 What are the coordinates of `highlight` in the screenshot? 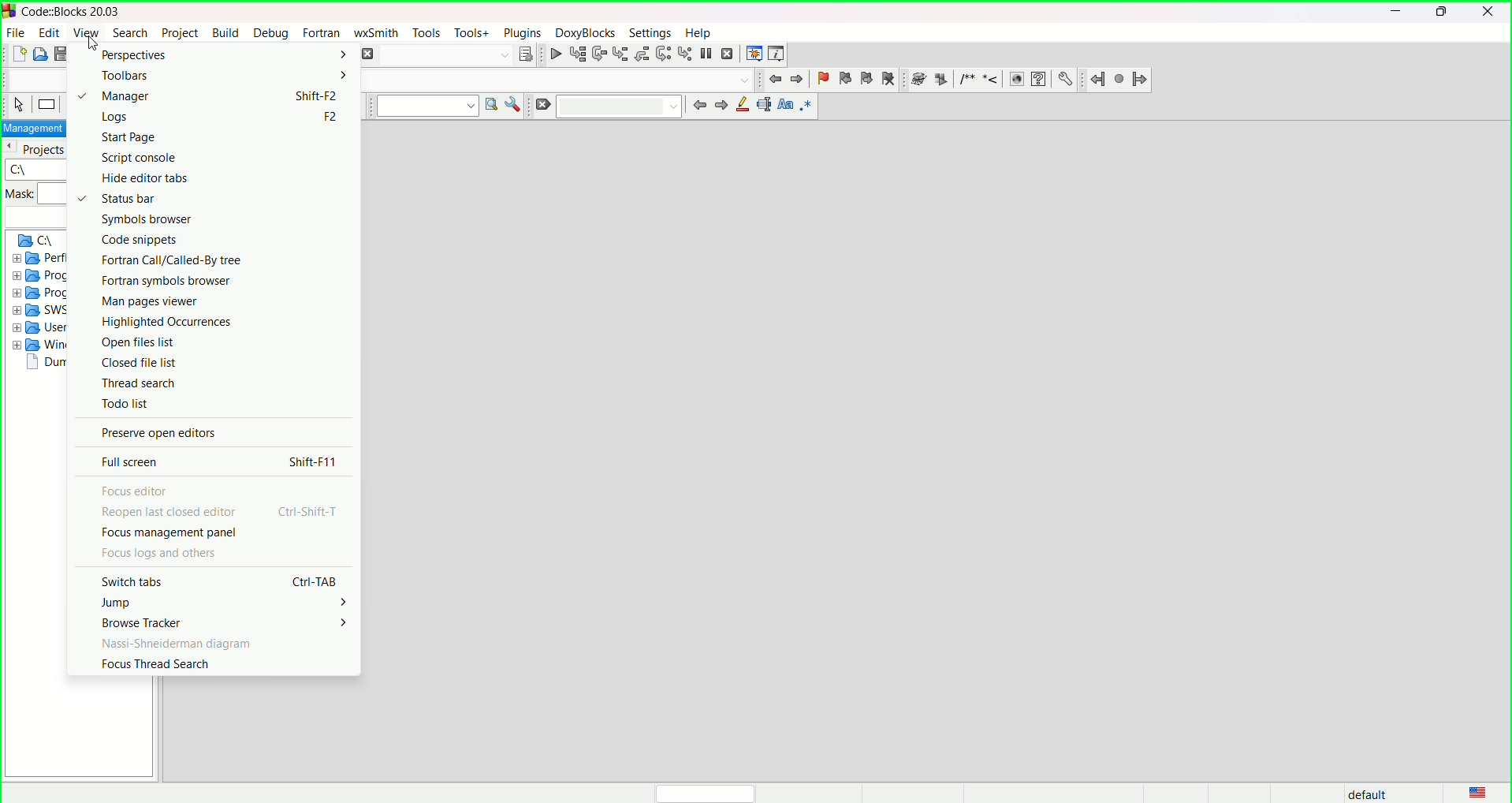 It's located at (743, 106).